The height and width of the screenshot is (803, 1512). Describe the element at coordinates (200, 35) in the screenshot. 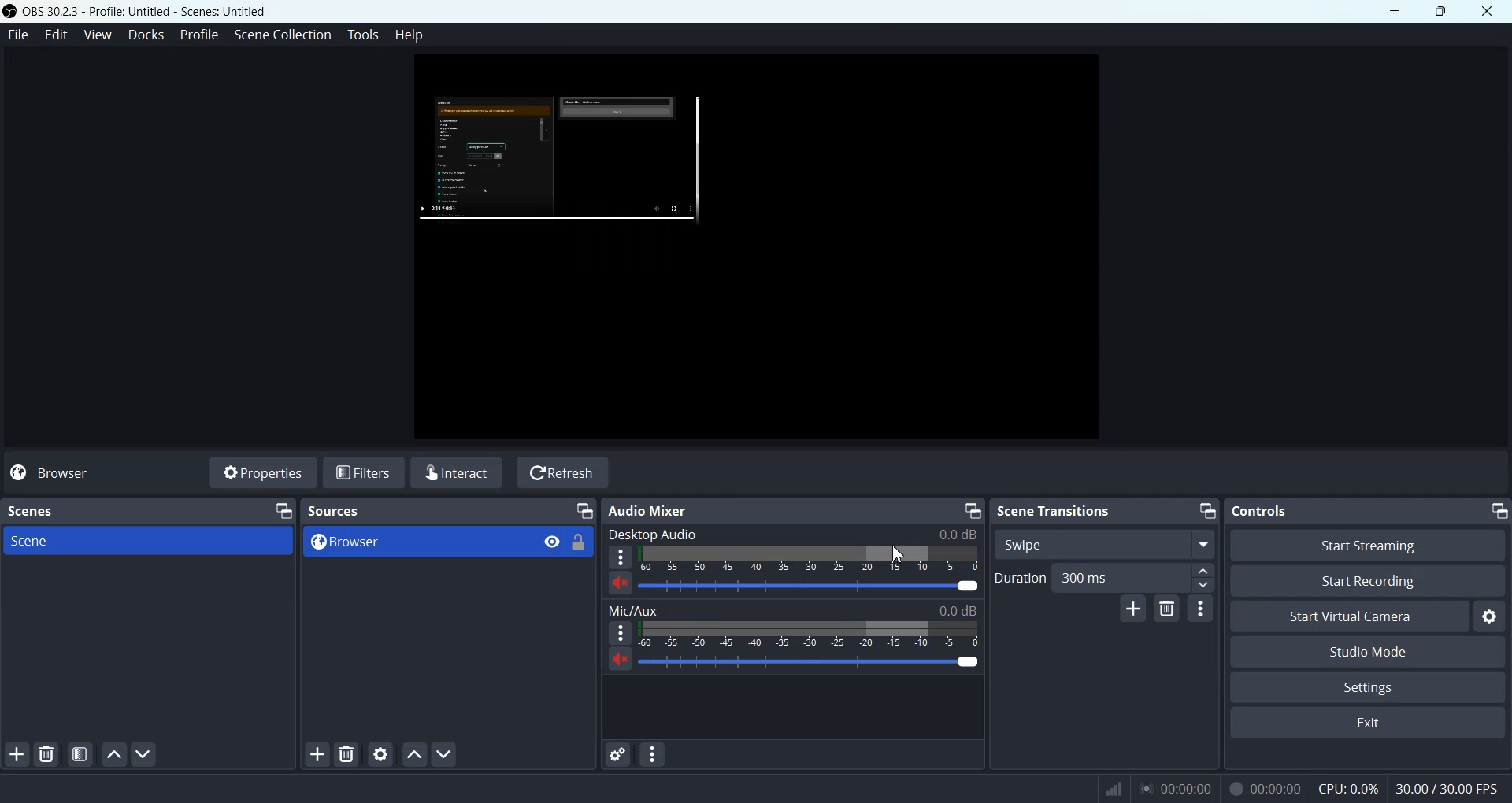

I see `Profile` at that location.